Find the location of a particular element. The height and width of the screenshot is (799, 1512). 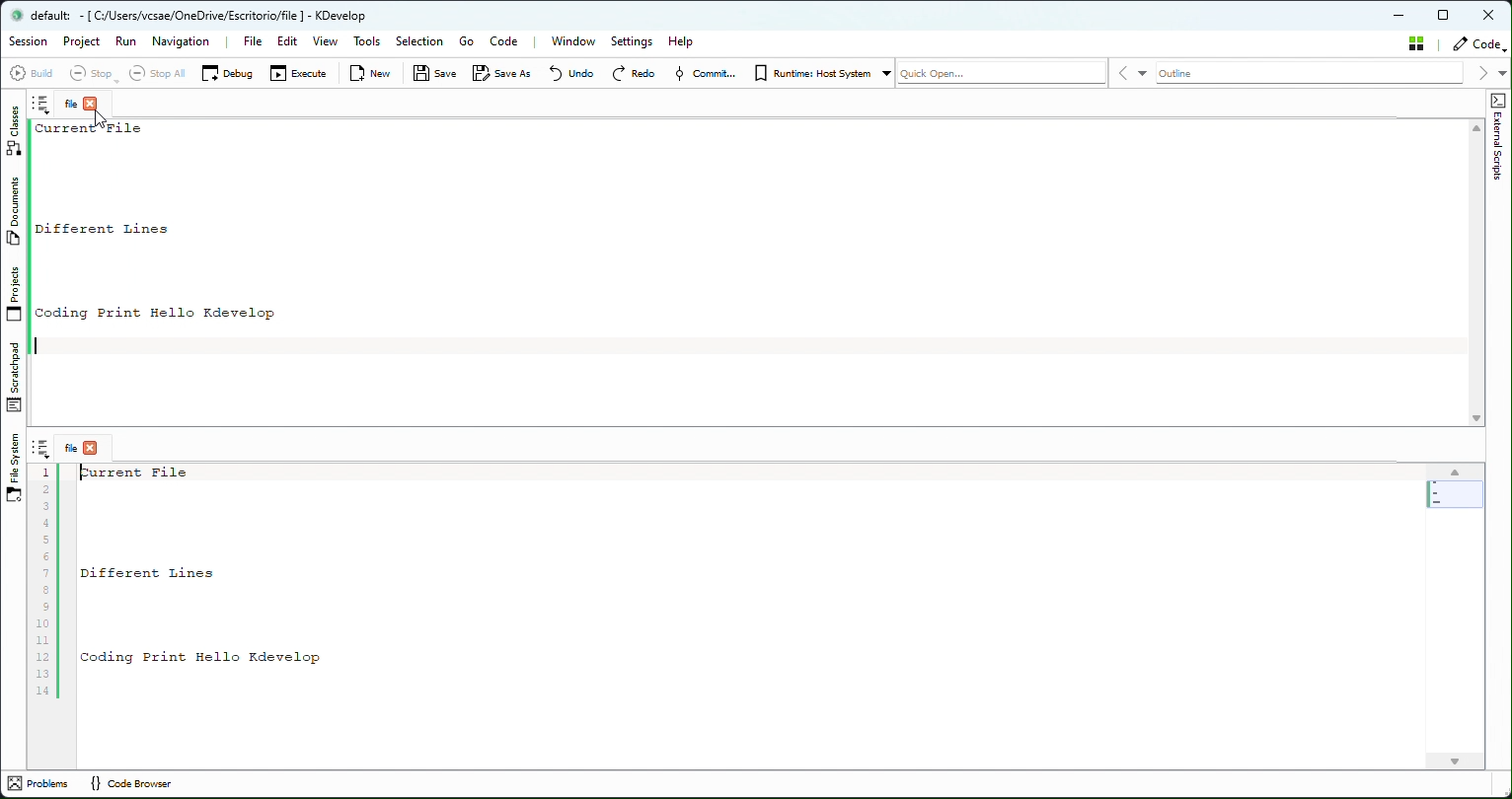

Edit is located at coordinates (287, 41).